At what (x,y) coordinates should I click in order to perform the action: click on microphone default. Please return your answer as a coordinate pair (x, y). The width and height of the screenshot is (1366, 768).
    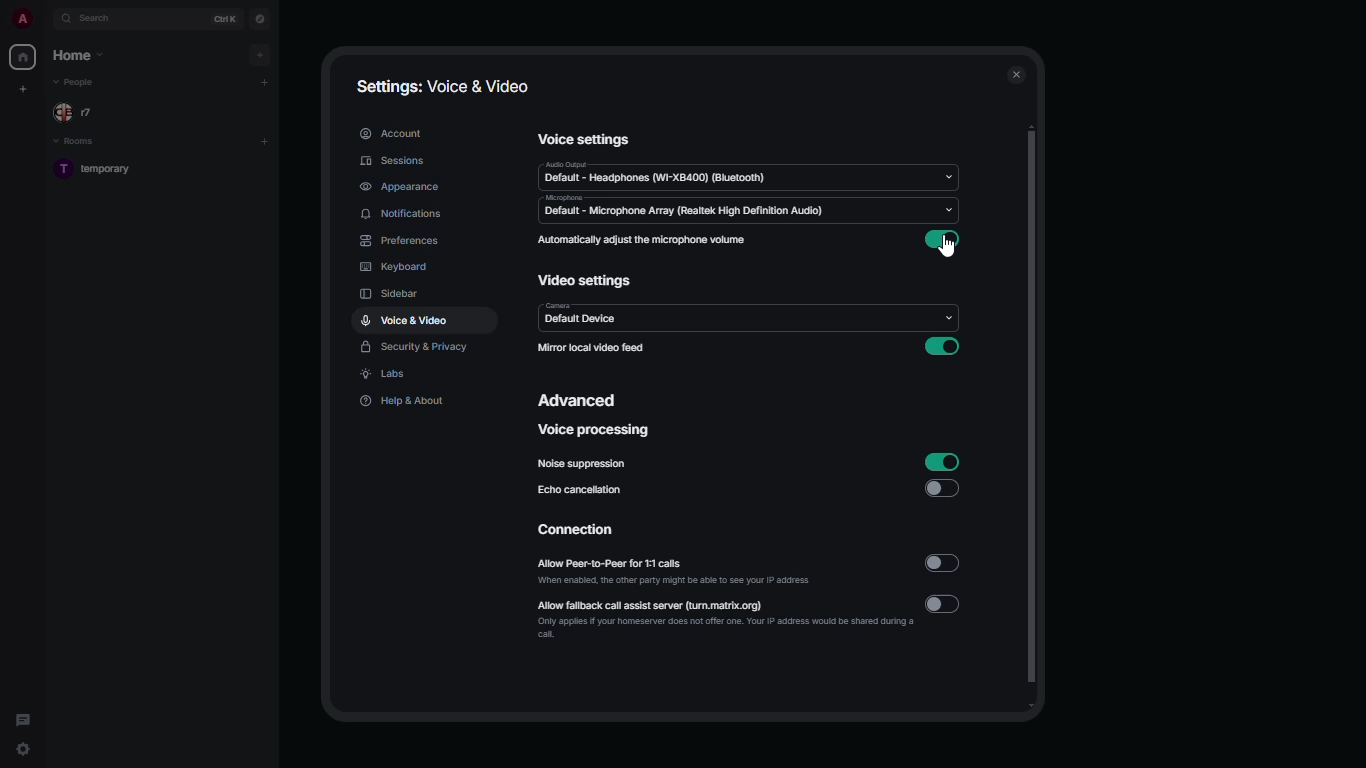
    Looking at the image, I should click on (689, 210).